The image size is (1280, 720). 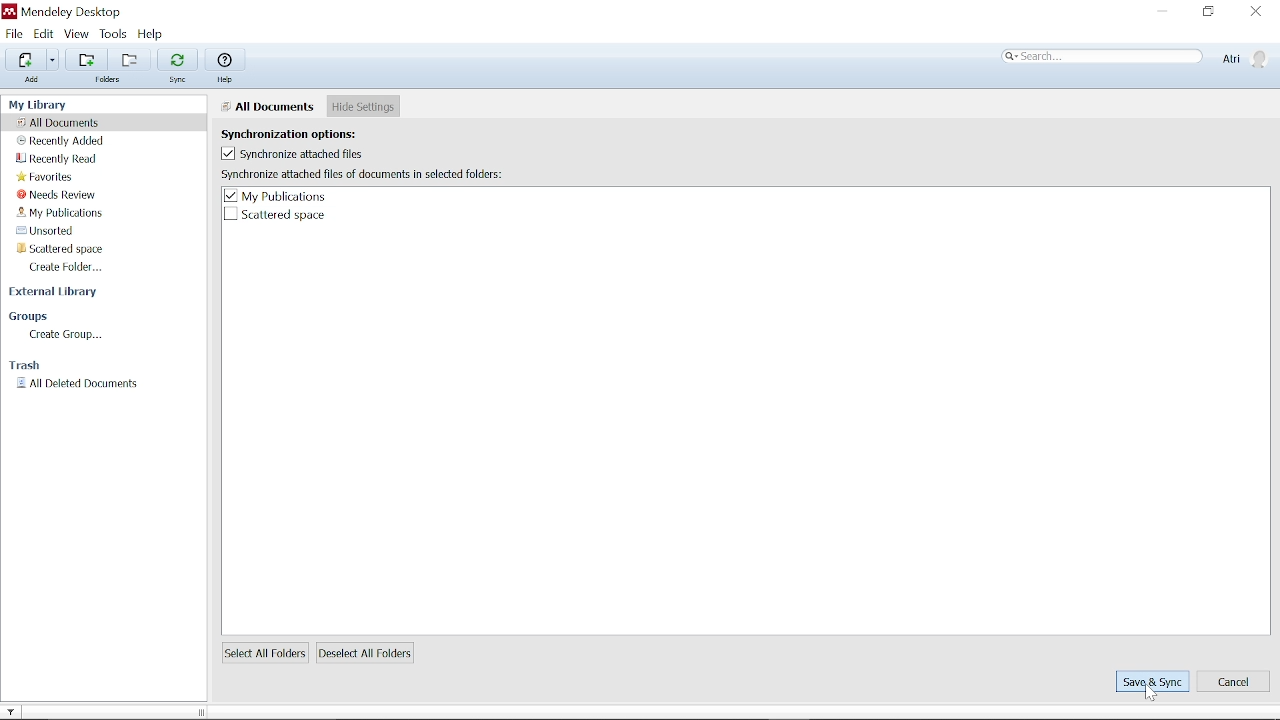 What do you see at coordinates (273, 215) in the screenshot?
I see `Folder named "Scattered space"` at bounding box center [273, 215].